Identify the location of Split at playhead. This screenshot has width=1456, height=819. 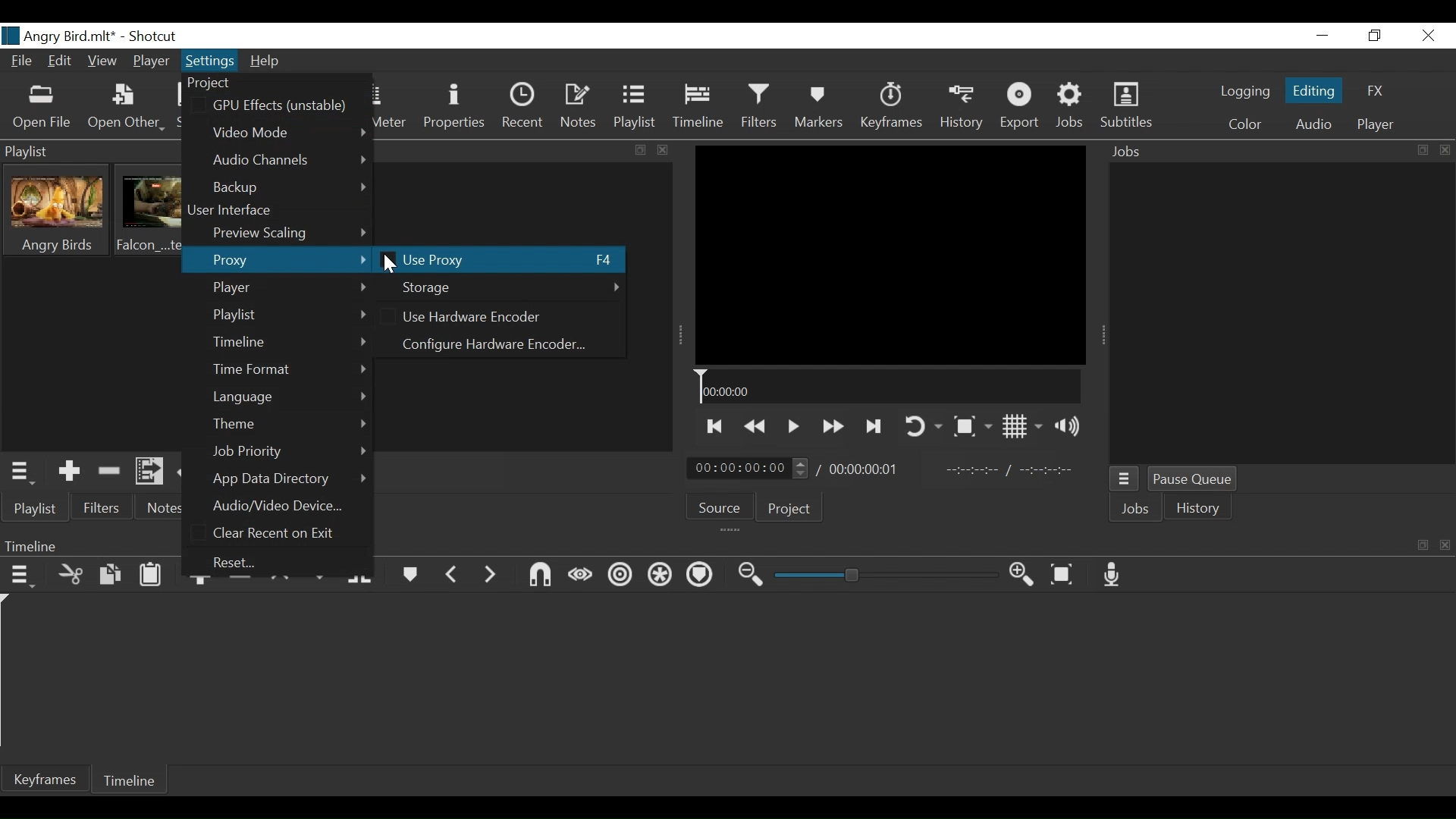
(363, 576).